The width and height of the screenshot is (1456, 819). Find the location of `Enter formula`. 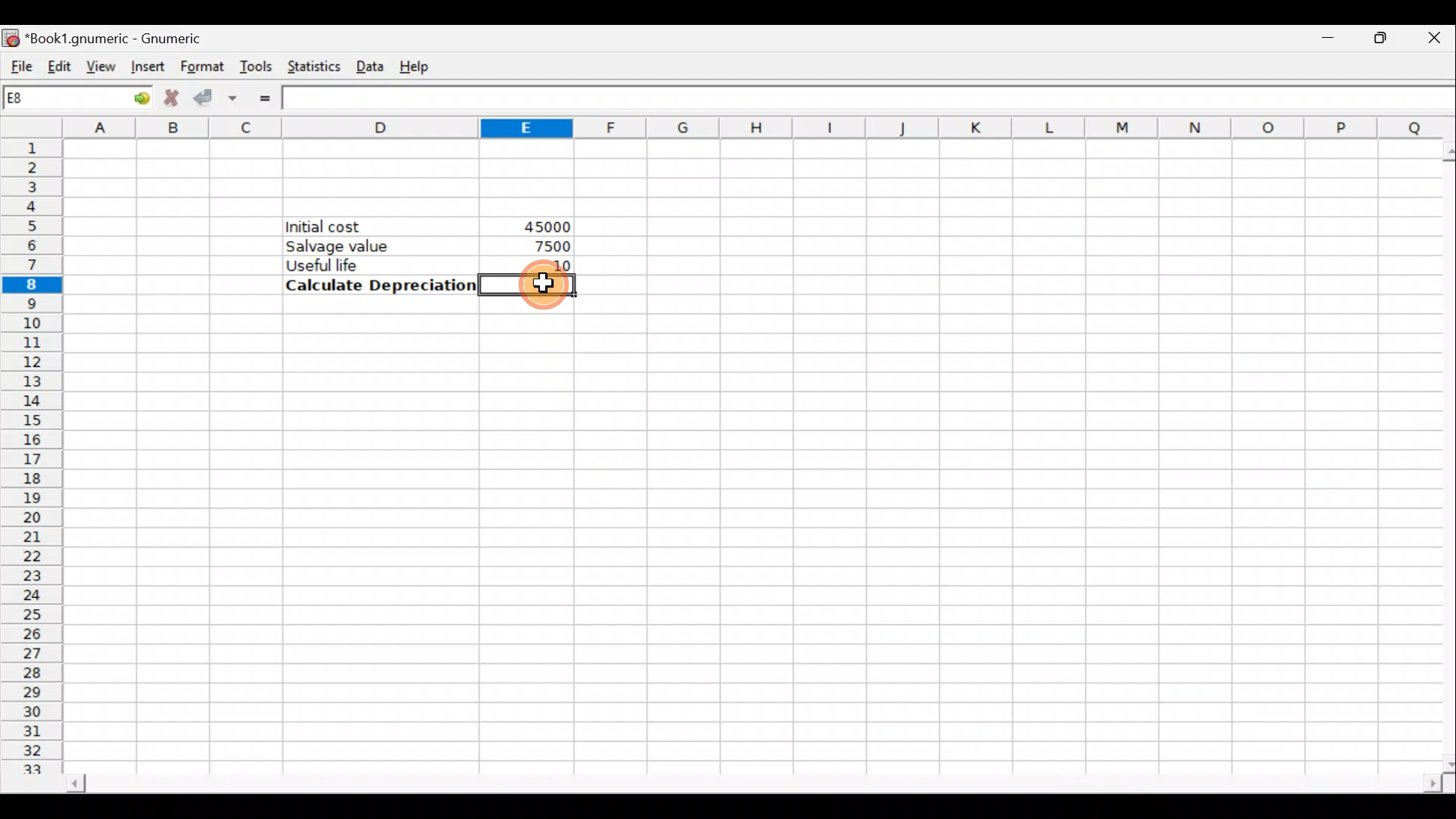

Enter formula is located at coordinates (264, 97).